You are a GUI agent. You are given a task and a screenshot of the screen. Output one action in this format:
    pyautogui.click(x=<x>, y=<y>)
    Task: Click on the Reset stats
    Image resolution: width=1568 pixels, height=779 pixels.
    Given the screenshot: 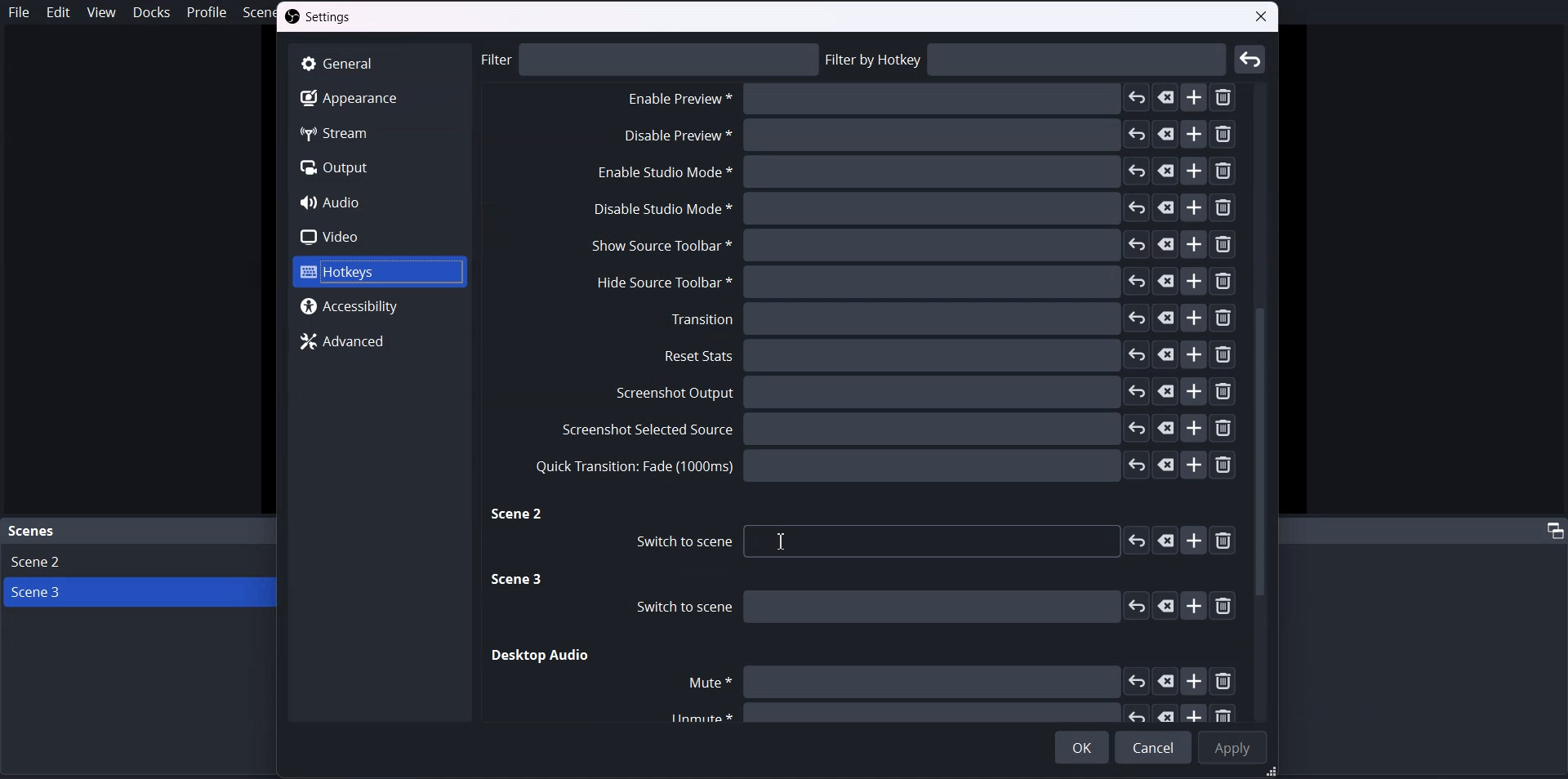 What is the action you would take?
    pyautogui.click(x=951, y=355)
    